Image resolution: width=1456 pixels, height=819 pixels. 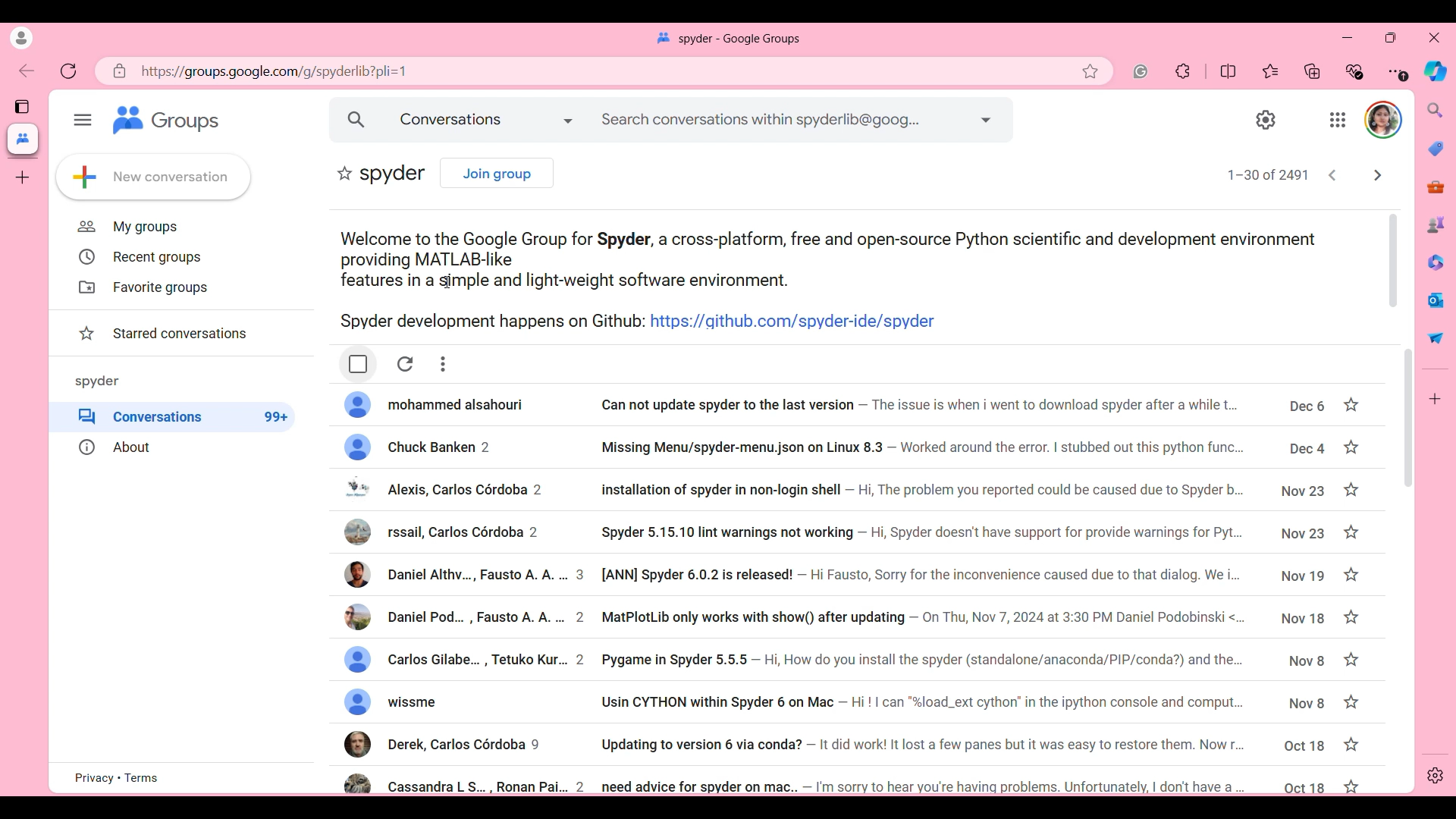 I want to click on Collections, so click(x=1312, y=71).